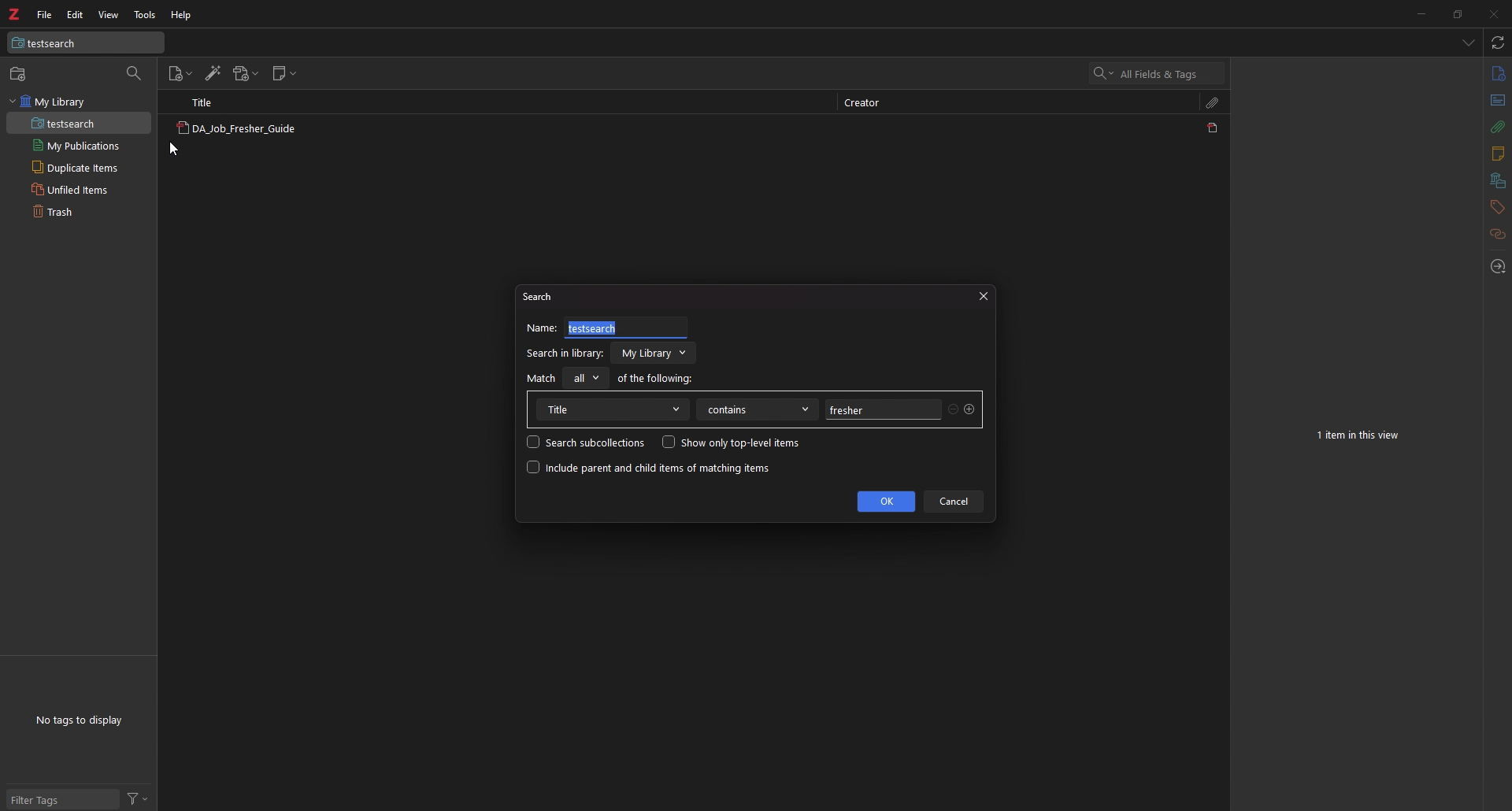  Describe the element at coordinates (627, 329) in the screenshot. I see `testsearch` at that location.